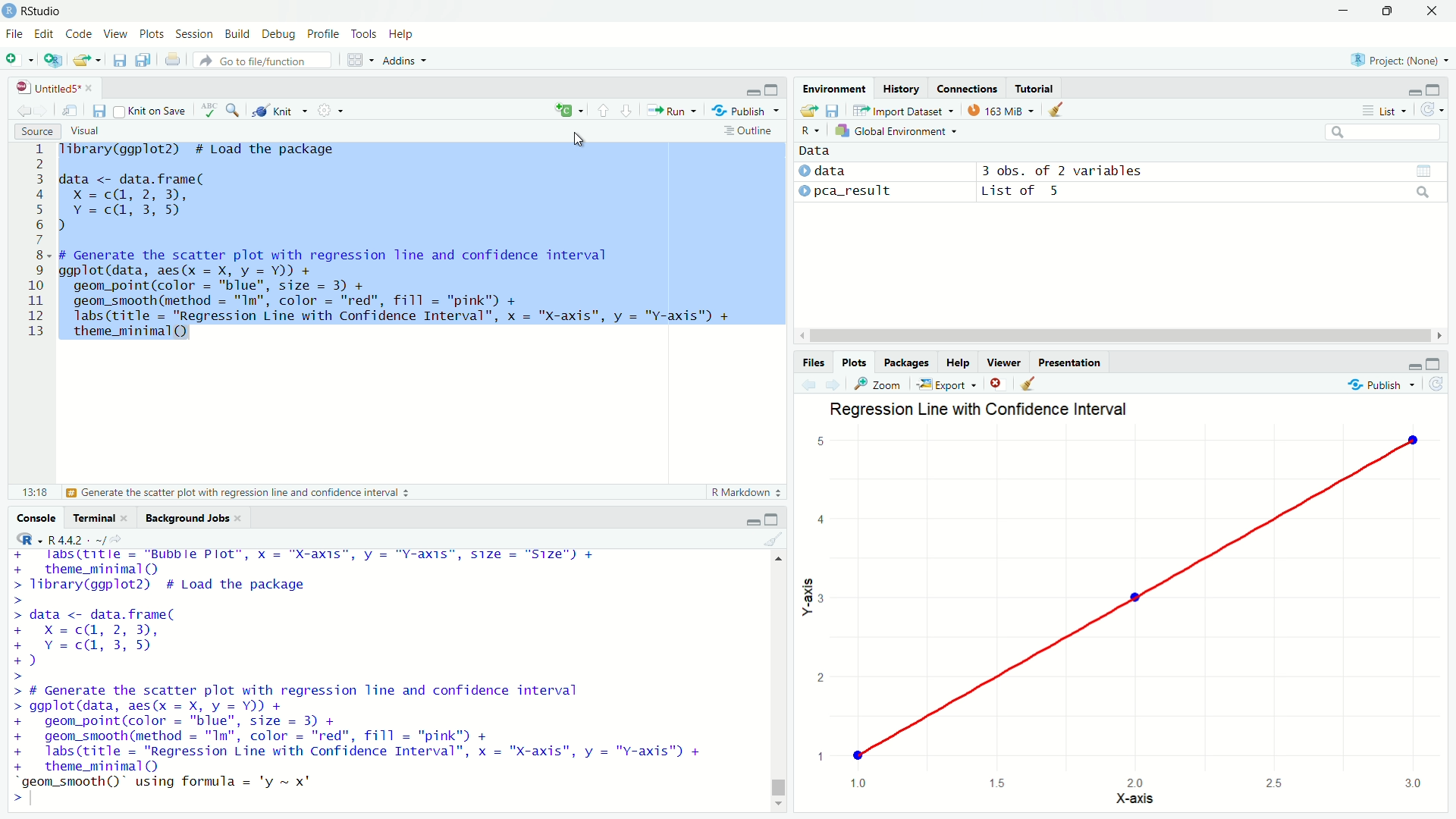 The width and height of the screenshot is (1456, 819). I want to click on expand, so click(1433, 89).